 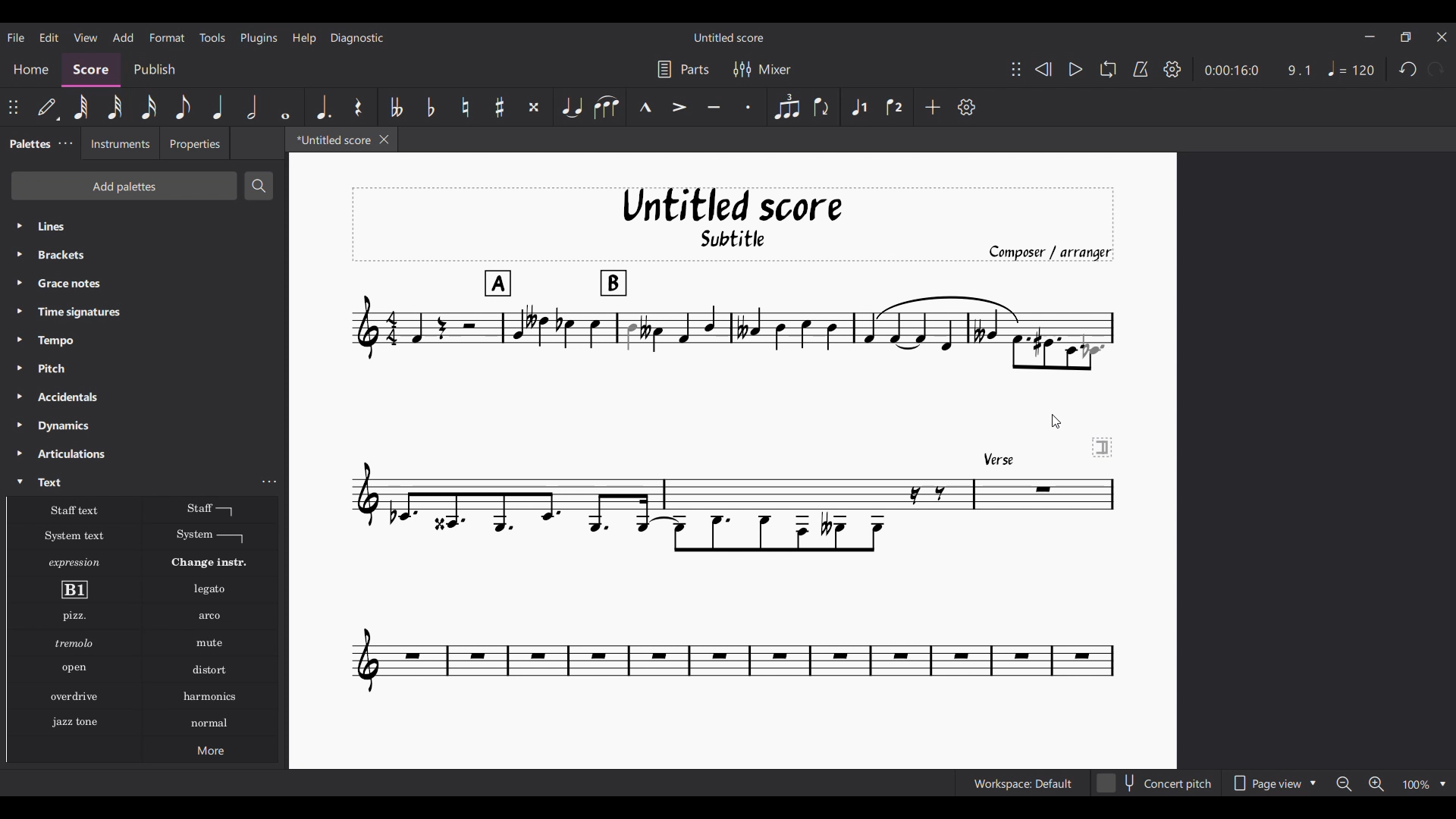 What do you see at coordinates (74, 589) in the screenshot?
I see `Rehearsal mark` at bounding box center [74, 589].